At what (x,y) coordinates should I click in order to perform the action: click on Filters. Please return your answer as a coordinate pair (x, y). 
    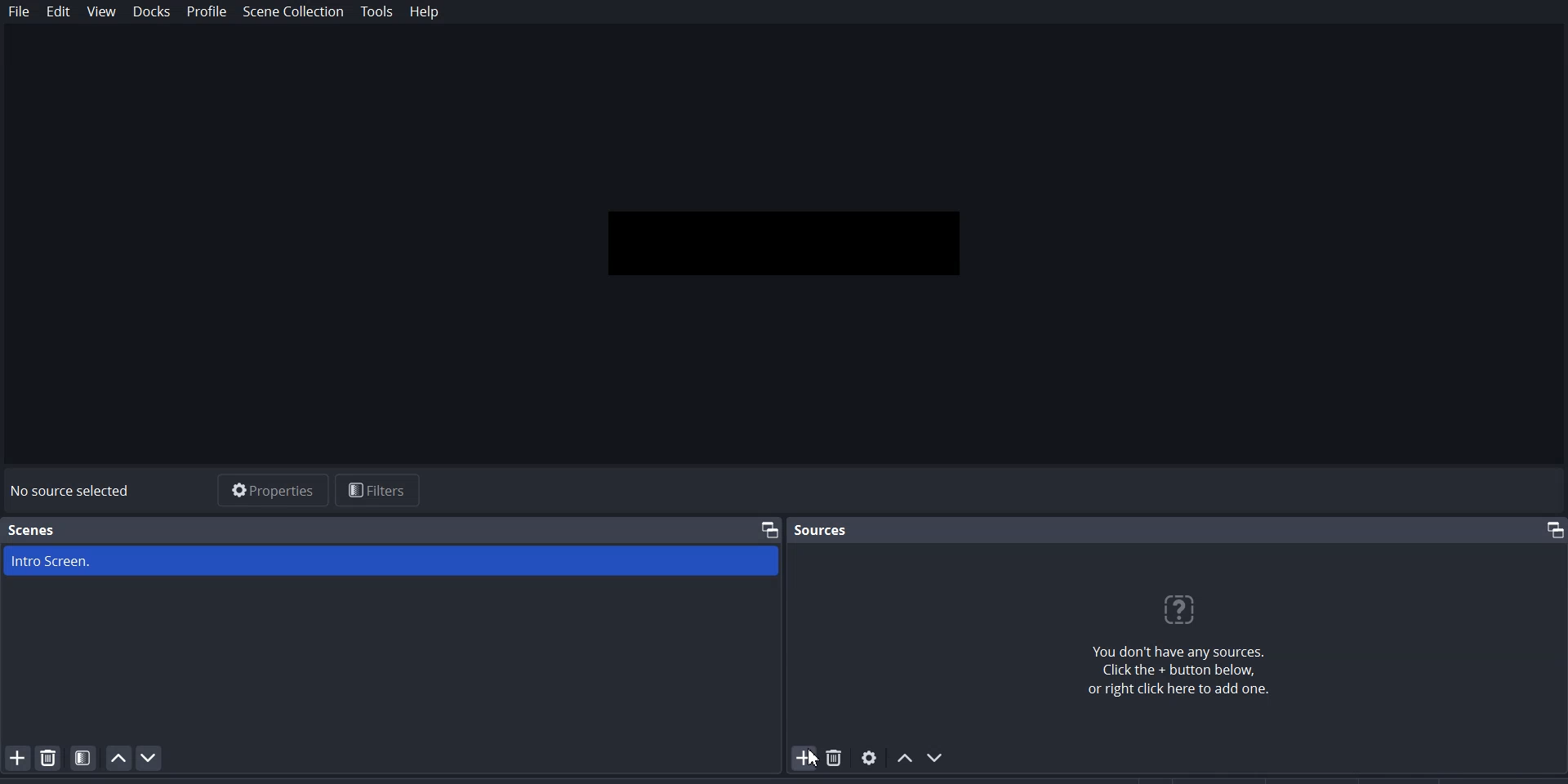
    Looking at the image, I should click on (379, 490).